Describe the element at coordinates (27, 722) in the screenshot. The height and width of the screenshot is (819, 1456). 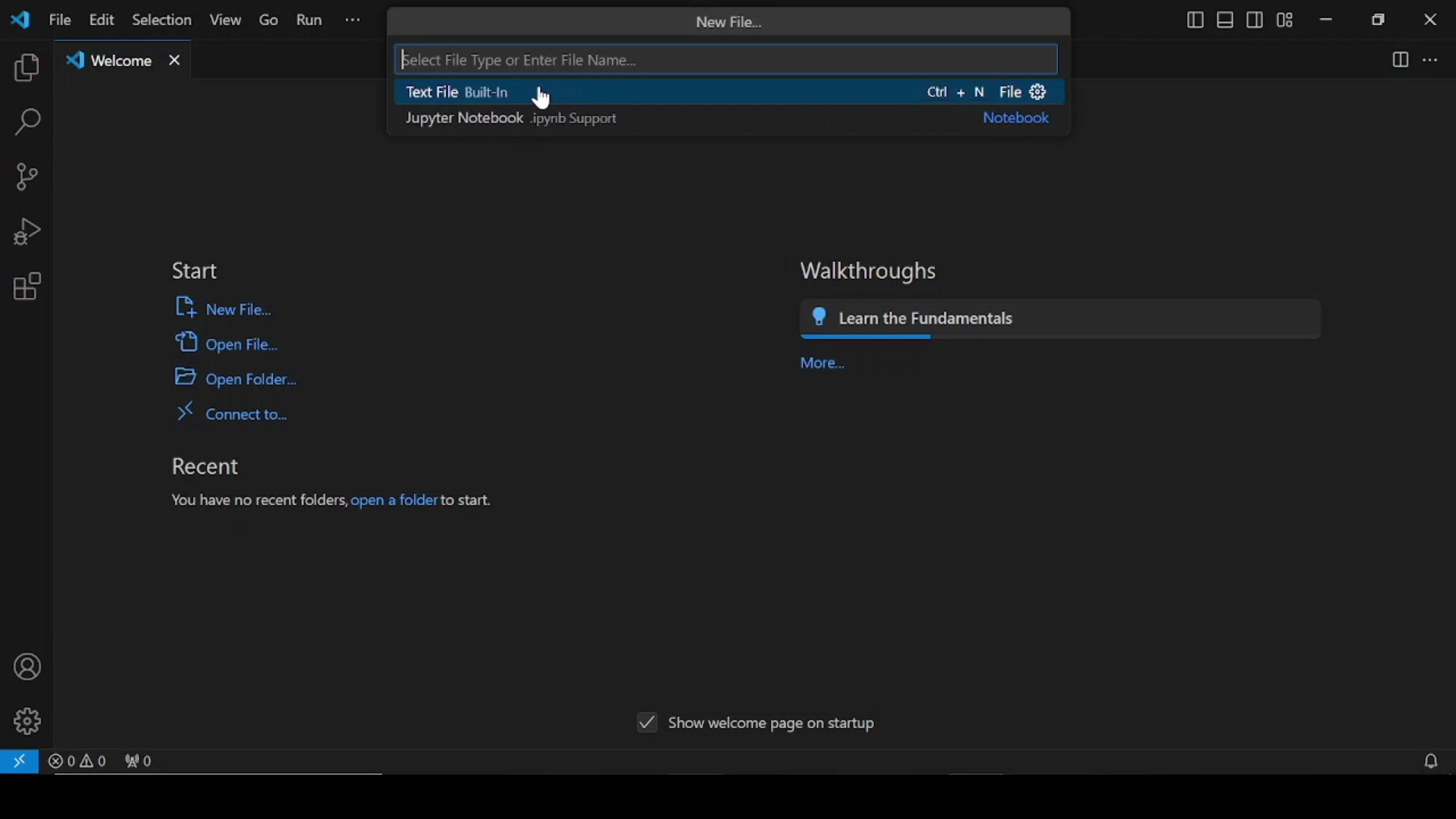
I see `manage` at that location.